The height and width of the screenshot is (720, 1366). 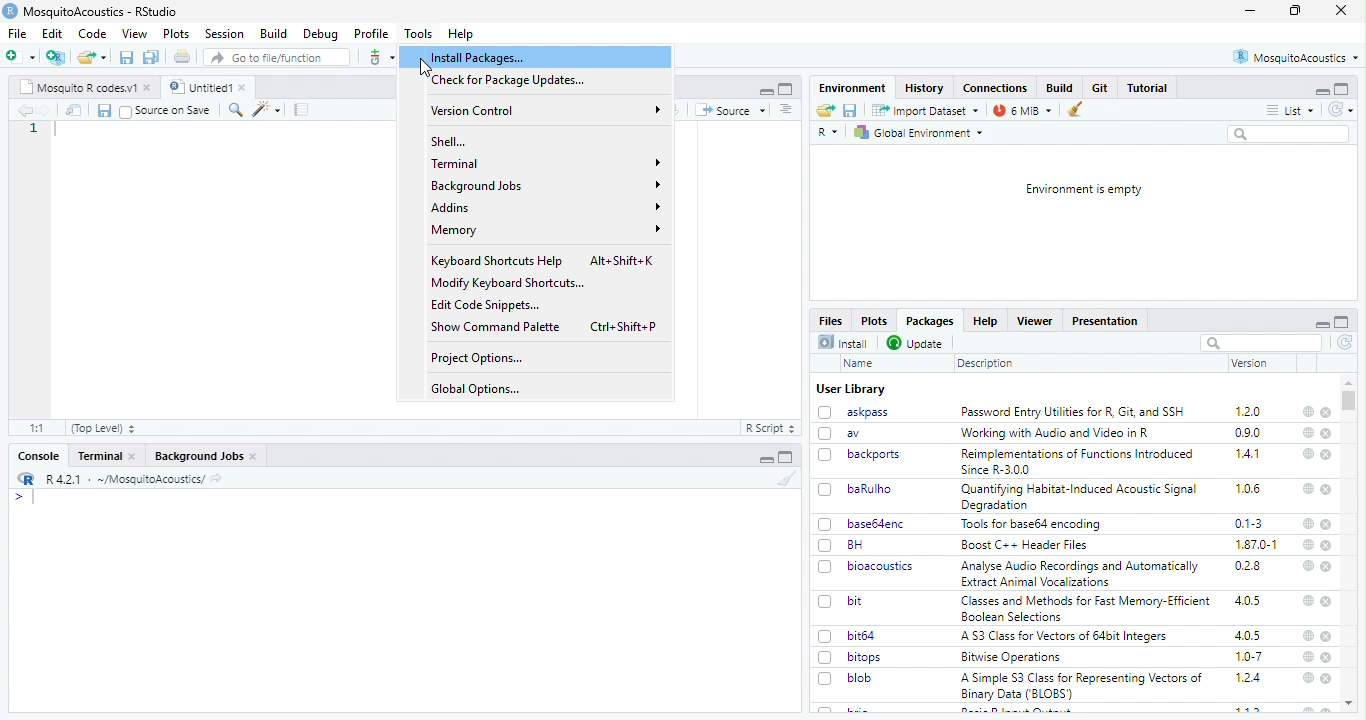 What do you see at coordinates (1081, 498) in the screenshot?
I see `Quantifying Habitat-Induced Acoustic Signal
Degradation` at bounding box center [1081, 498].